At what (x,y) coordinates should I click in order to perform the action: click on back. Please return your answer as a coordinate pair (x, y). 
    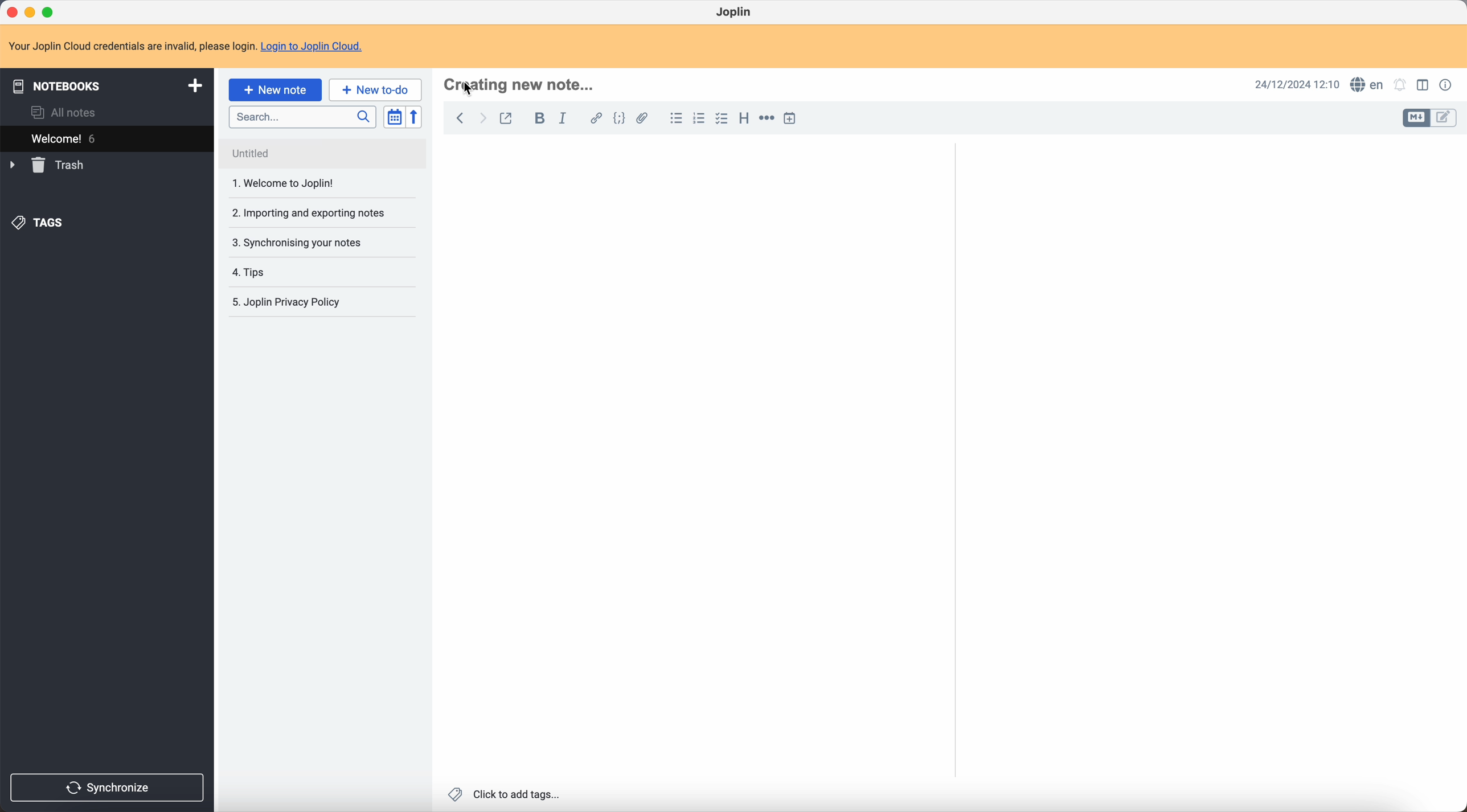
    Looking at the image, I should click on (460, 120).